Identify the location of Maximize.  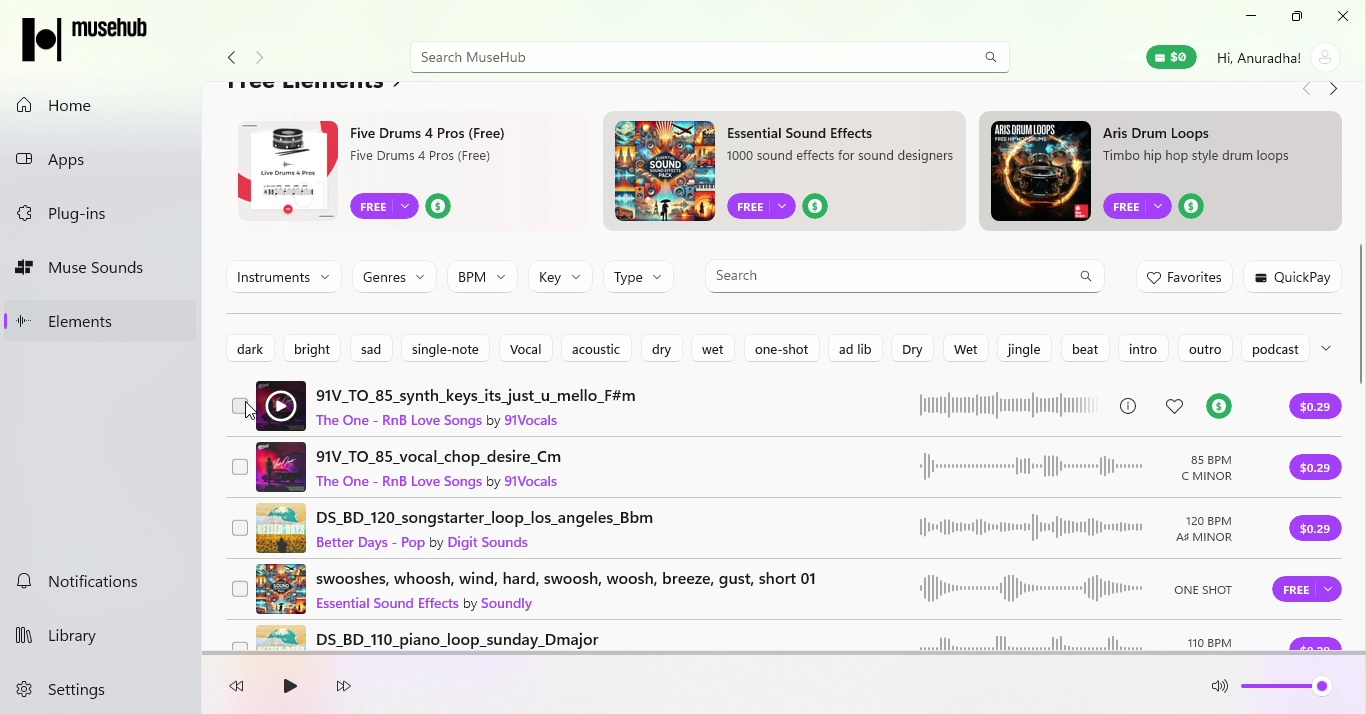
(1293, 17).